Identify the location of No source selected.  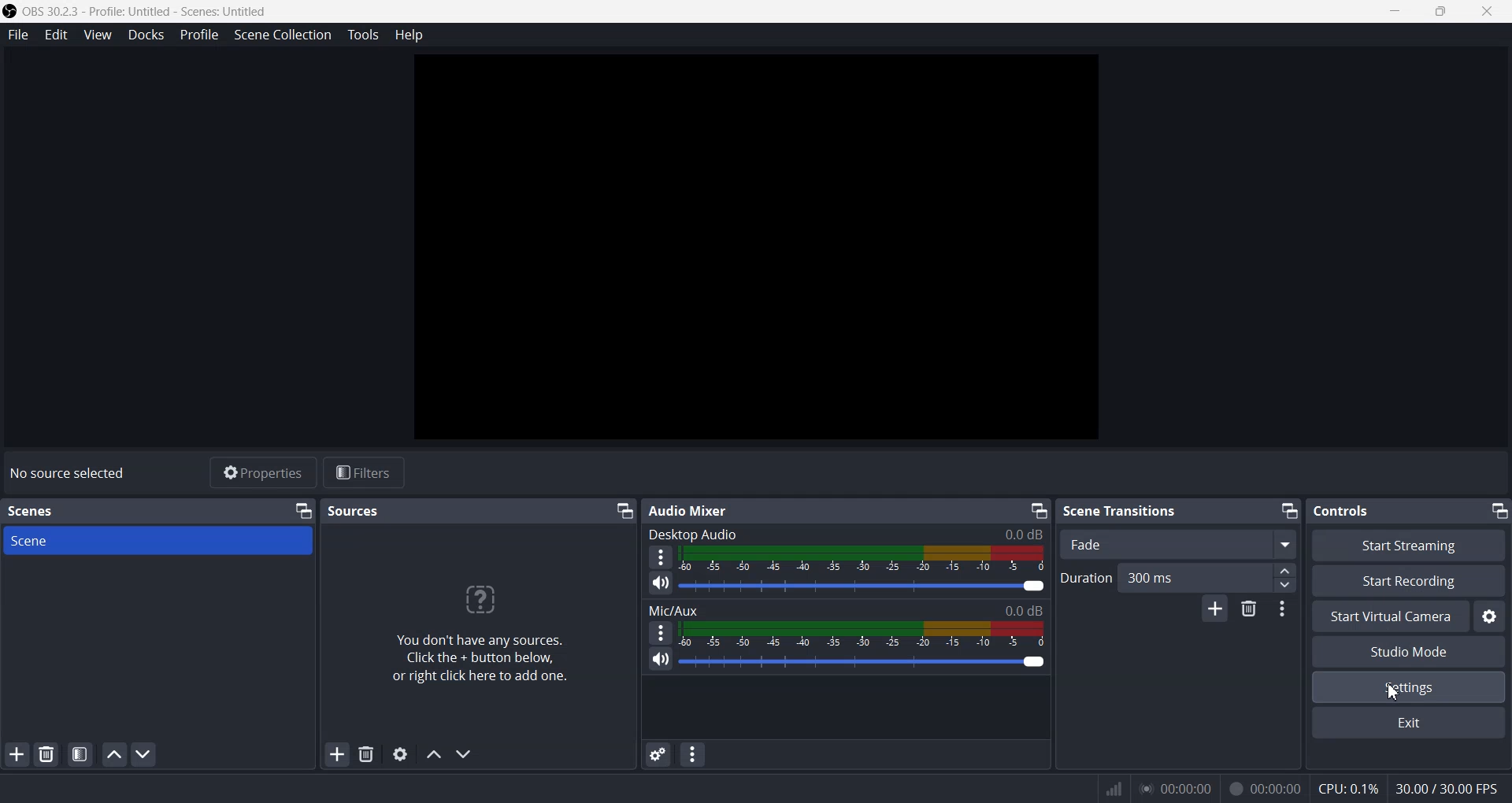
(72, 475).